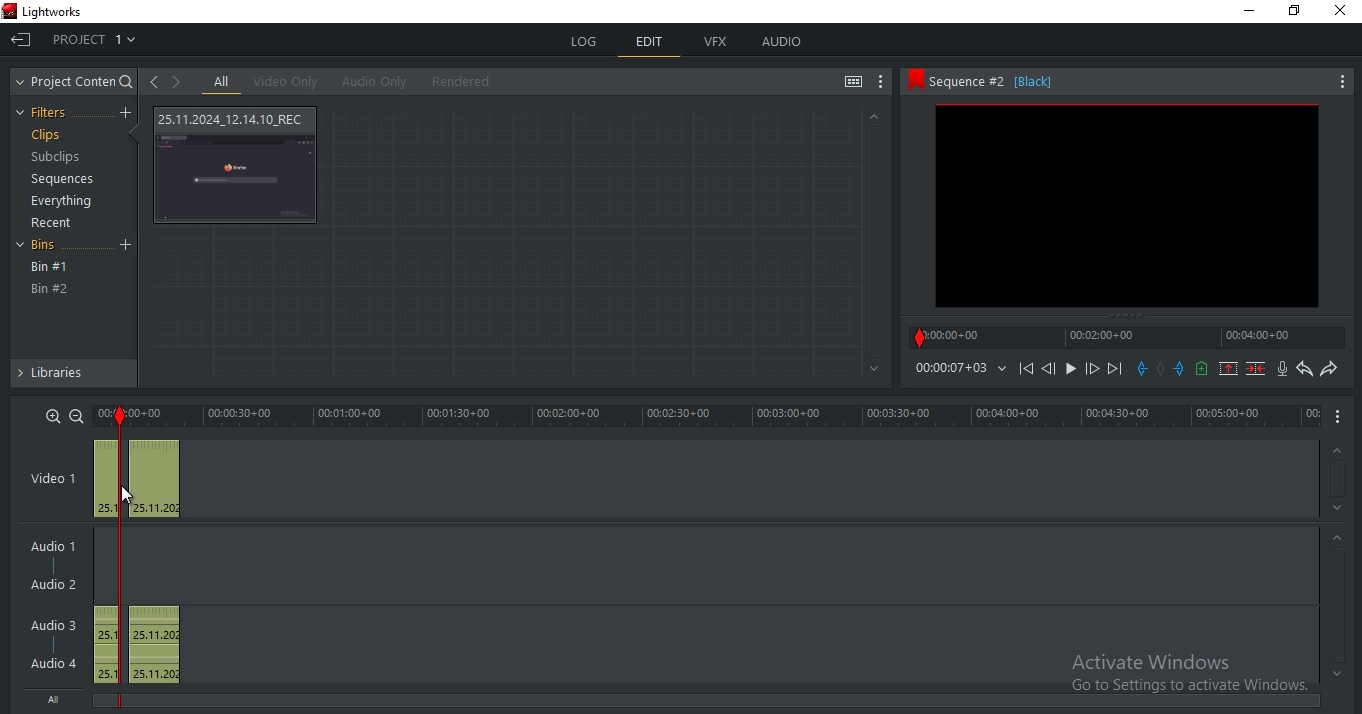  I want to click on Audio, so click(56, 663).